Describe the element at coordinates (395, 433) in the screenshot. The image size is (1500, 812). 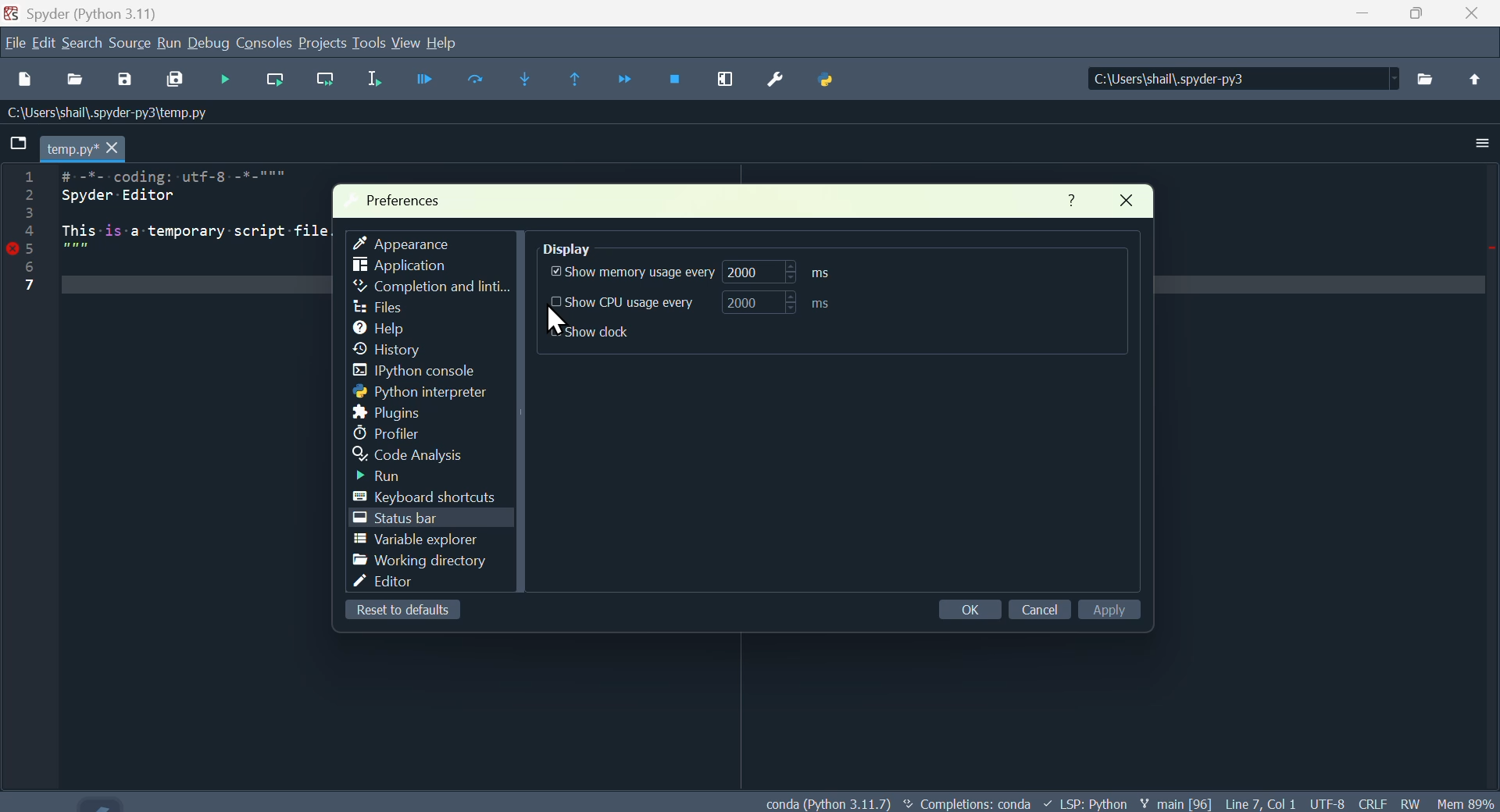
I see `Profiler` at that location.